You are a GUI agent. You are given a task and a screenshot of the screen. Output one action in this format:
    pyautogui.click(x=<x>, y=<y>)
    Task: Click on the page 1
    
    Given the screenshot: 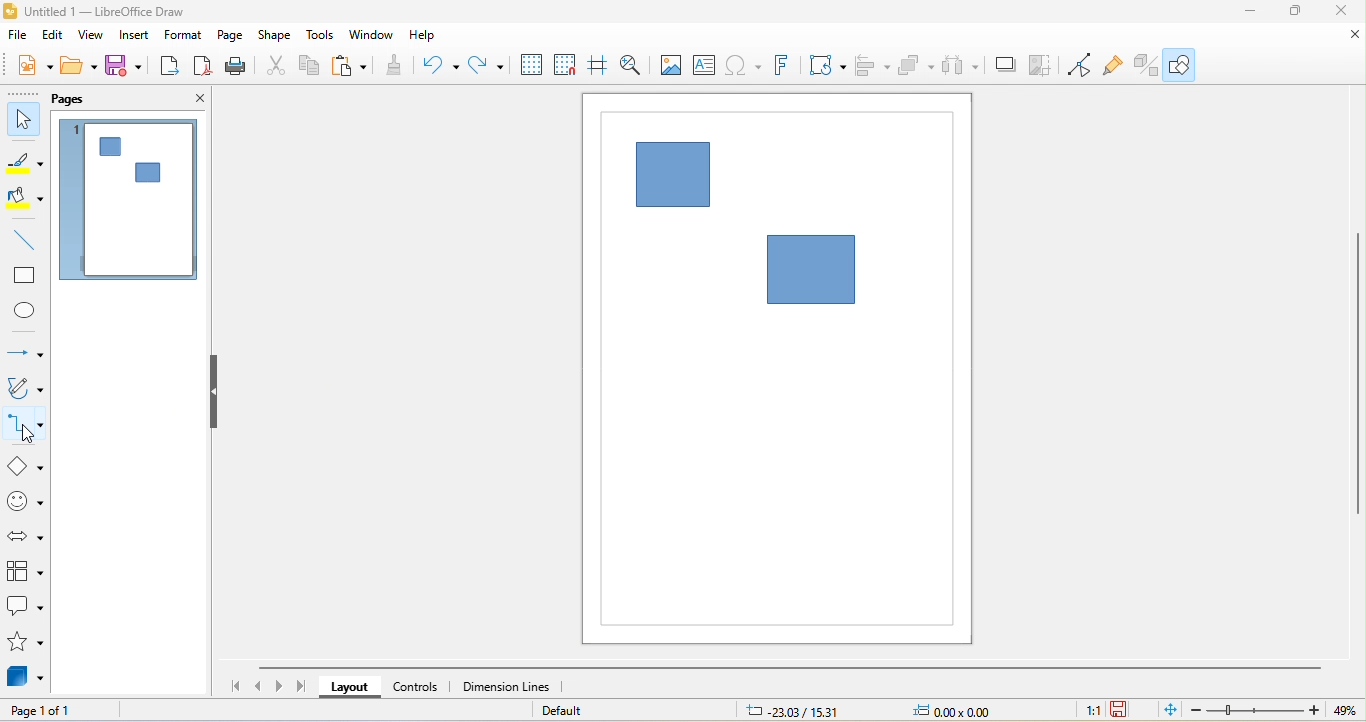 What is the action you would take?
    pyautogui.click(x=129, y=202)
    